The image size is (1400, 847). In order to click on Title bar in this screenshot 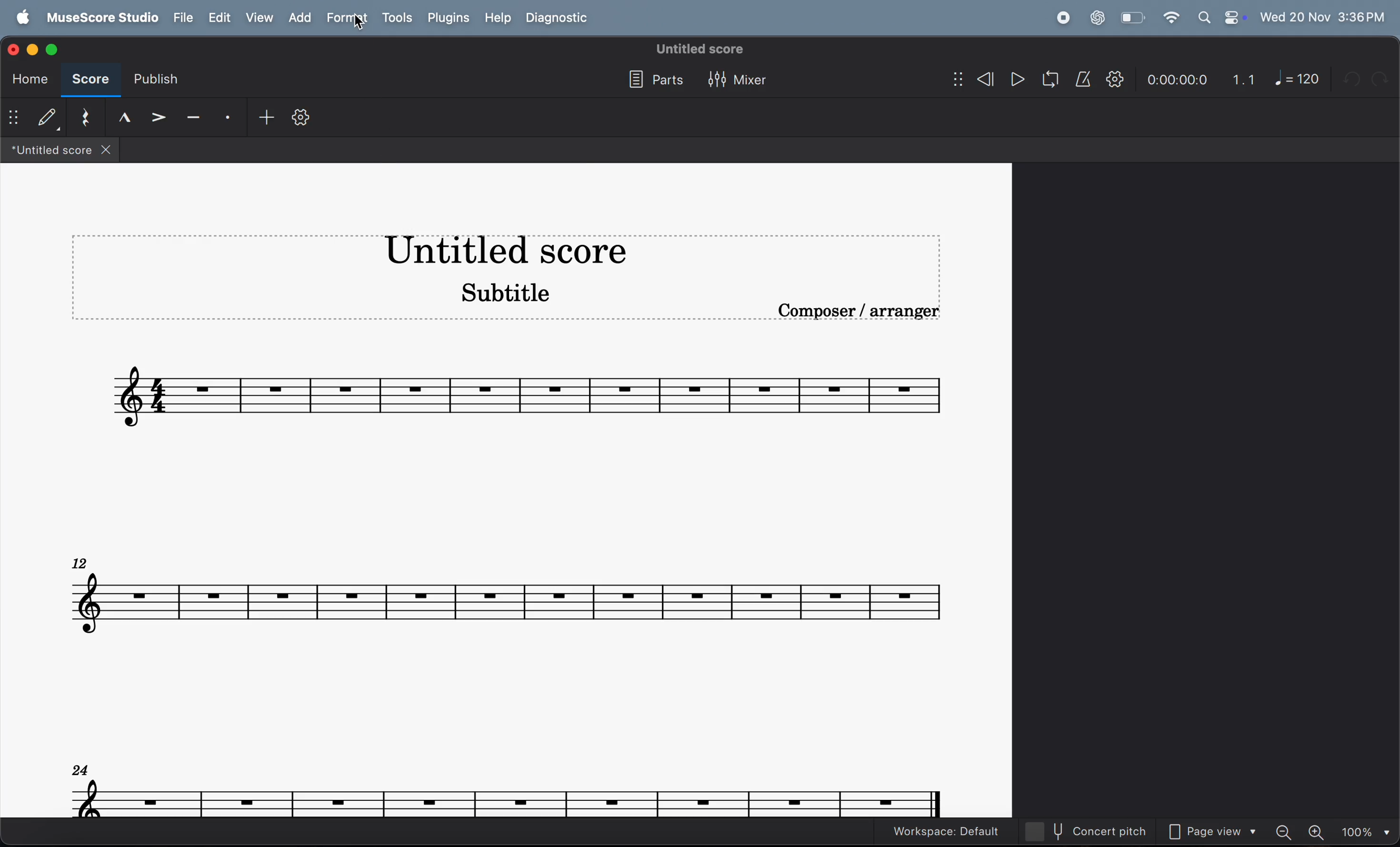, I will do `click(505, 251)`.